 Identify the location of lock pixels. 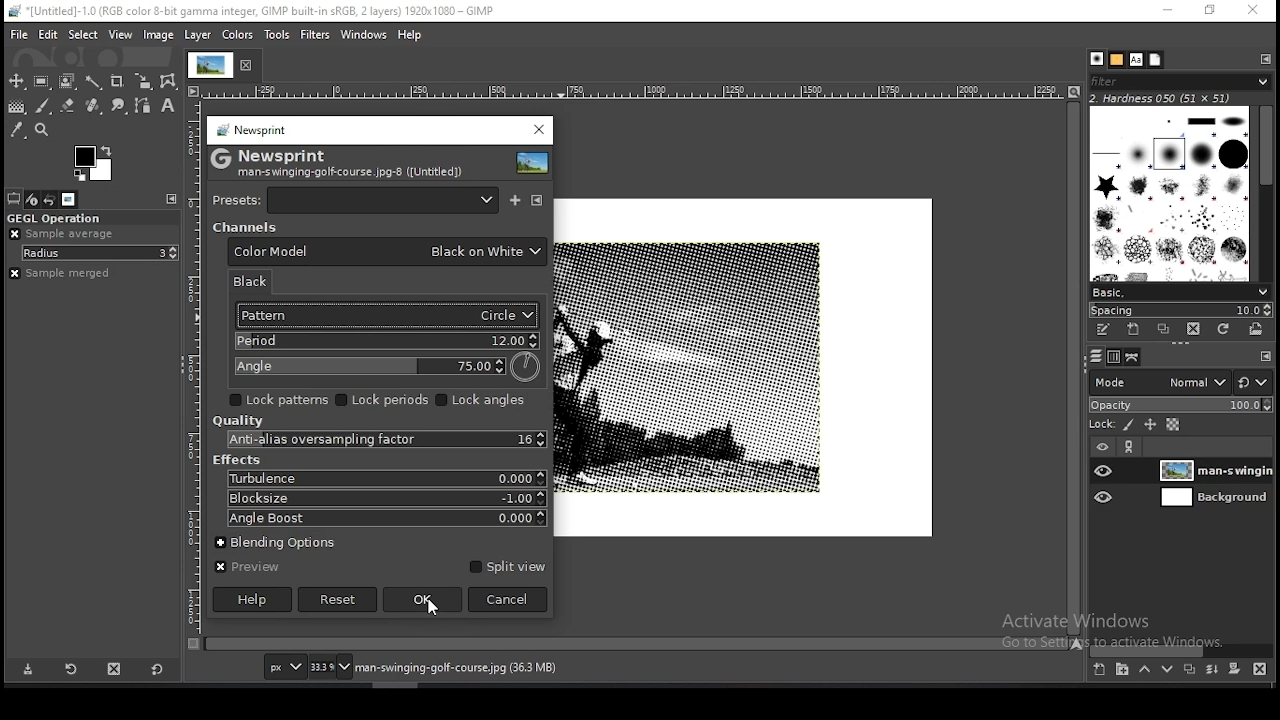
(1126, 425).